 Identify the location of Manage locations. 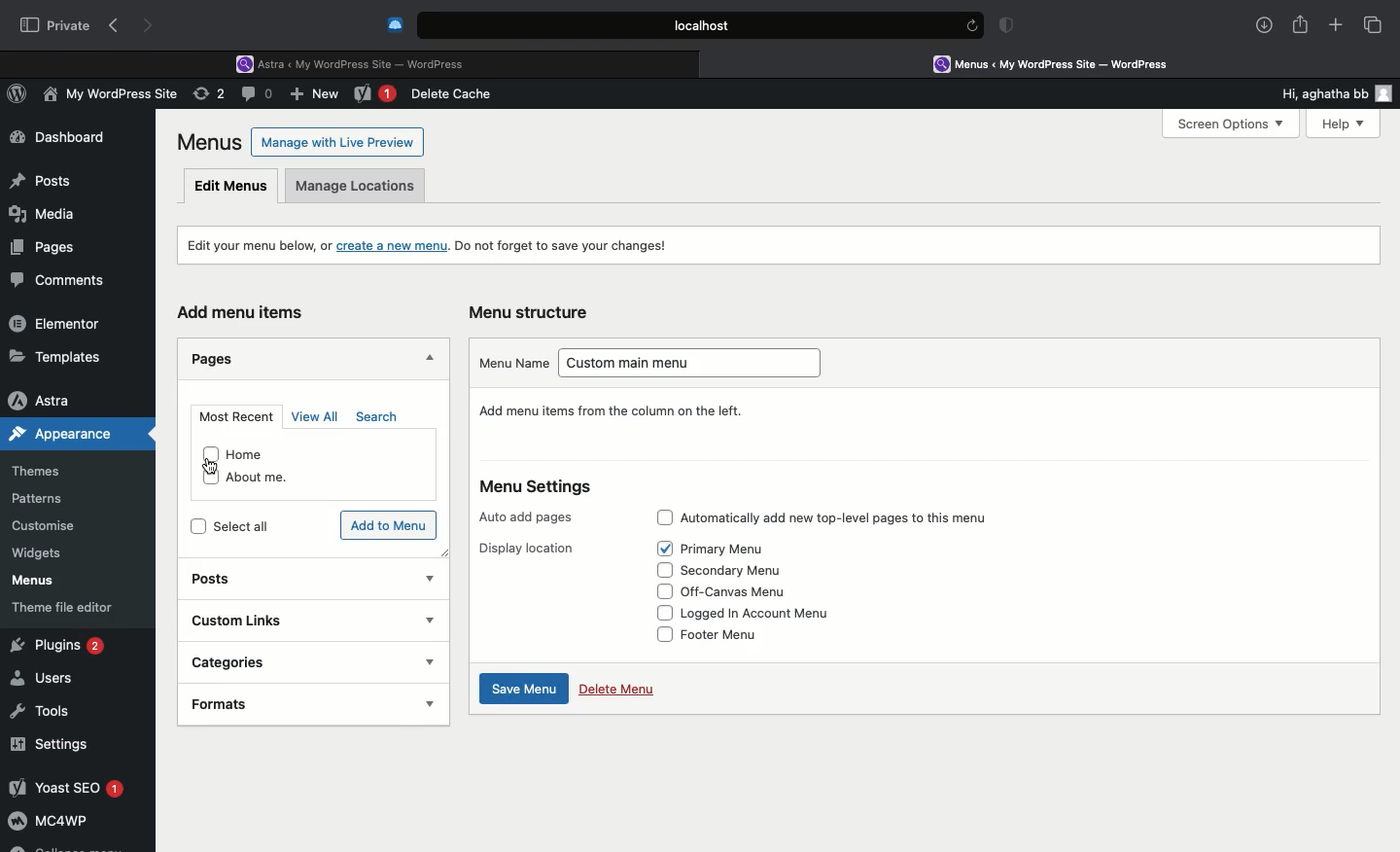
(360, 191).